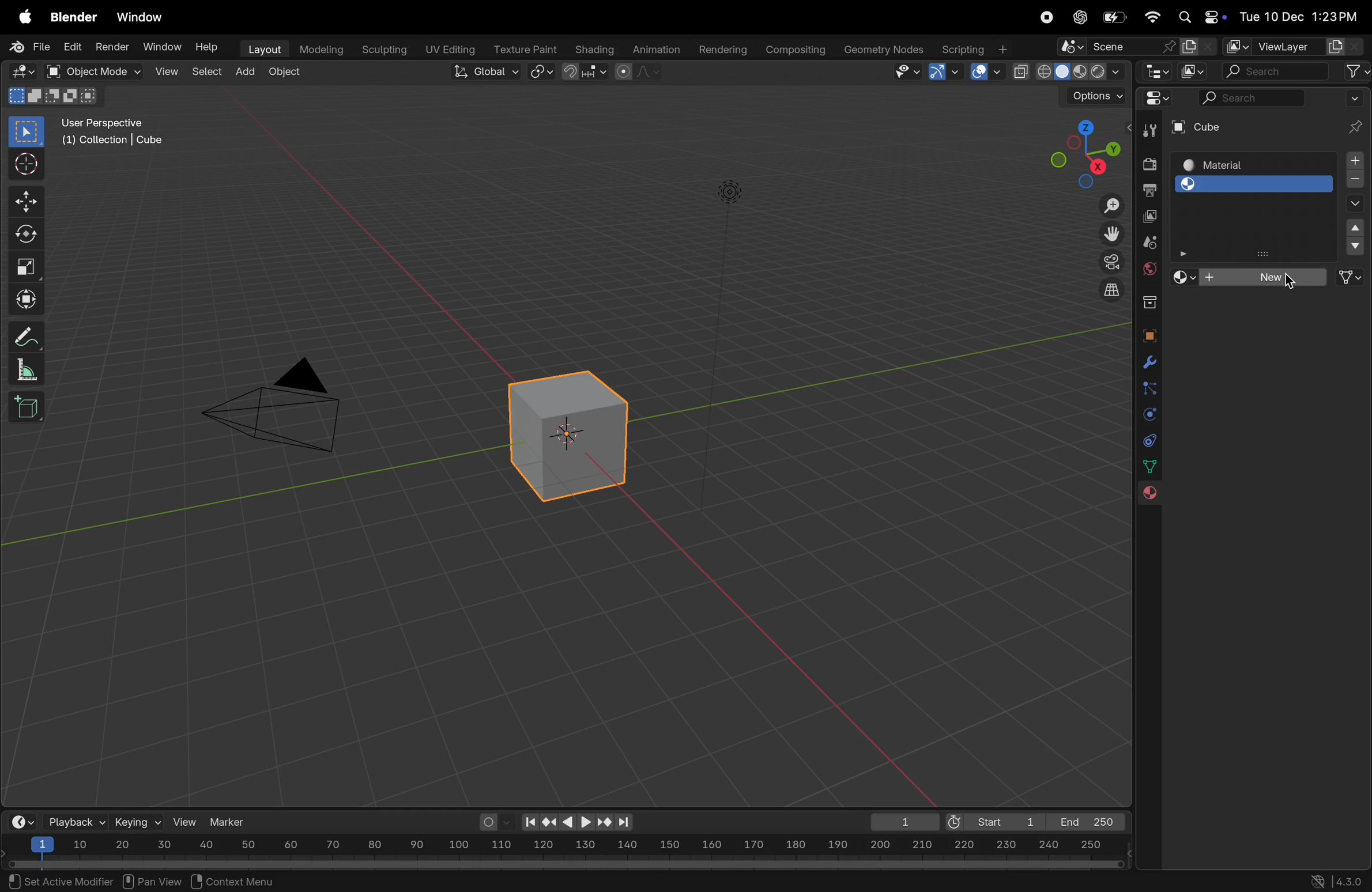 The image size is (1372, 892). Describe the element at coordinates (658, 48) in the screenshot. I see `Animation` at that location.